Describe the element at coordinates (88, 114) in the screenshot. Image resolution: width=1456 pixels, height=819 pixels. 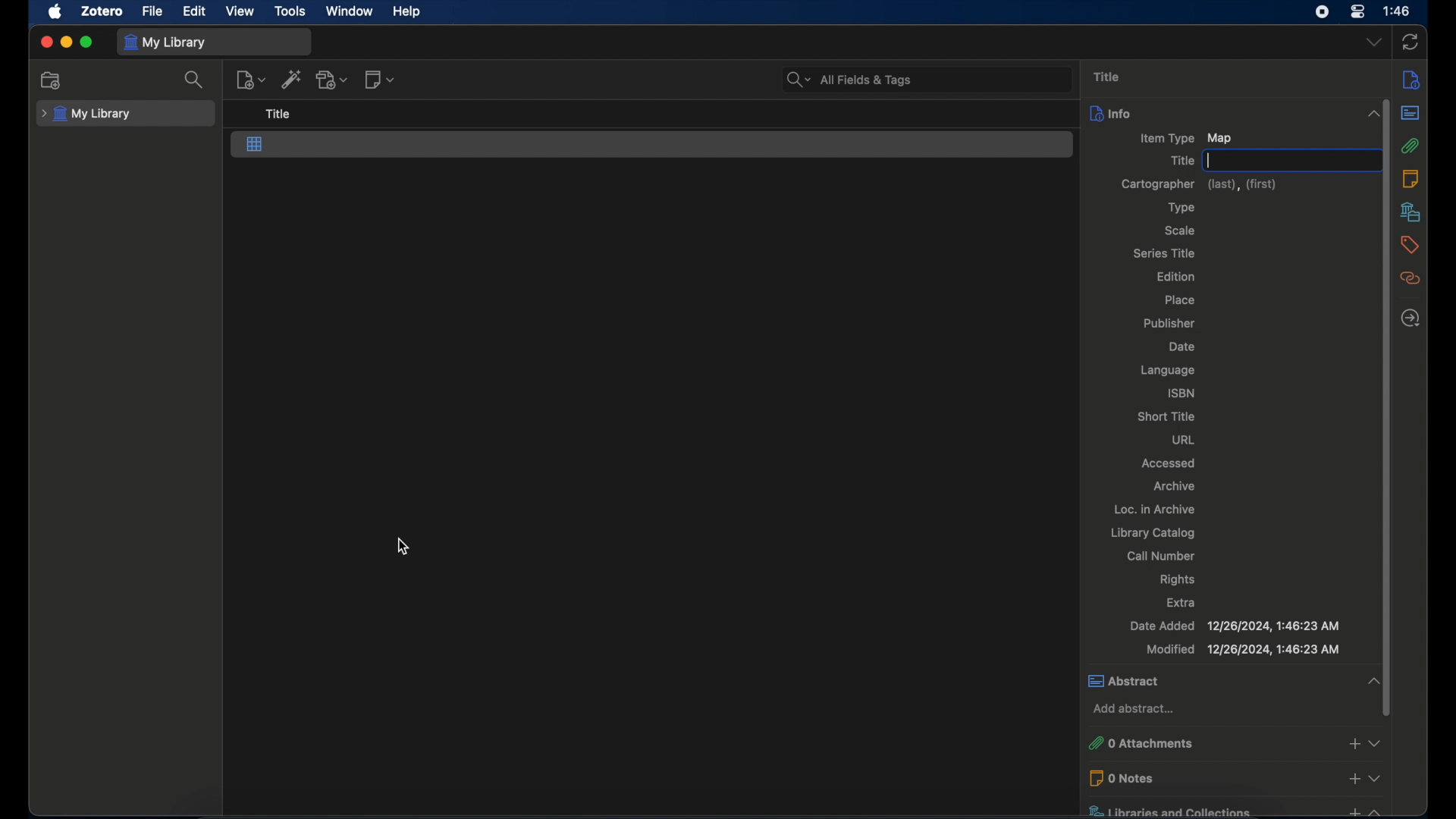
I see `my library` at that location.